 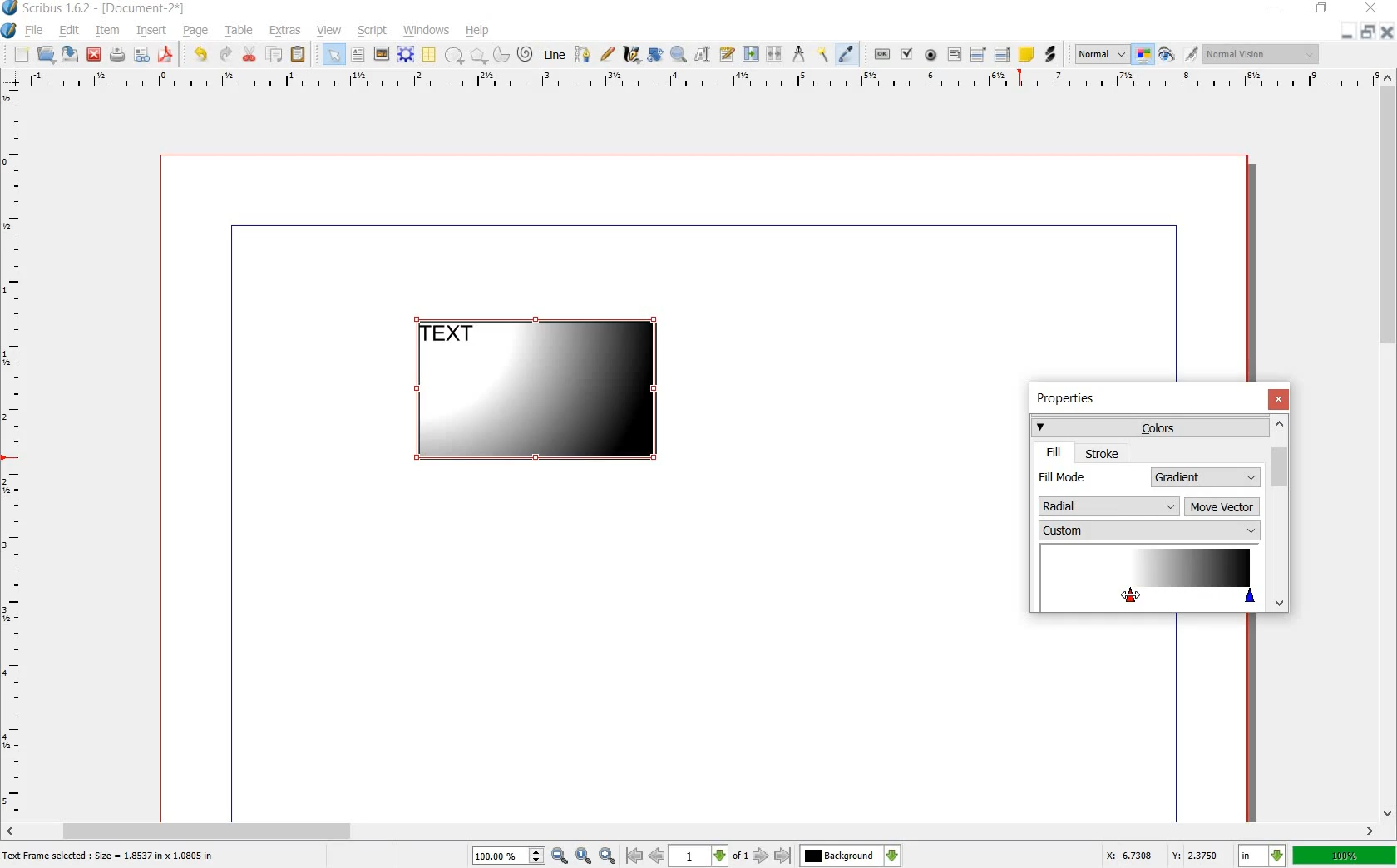 I want to click on rotate item, so click(x=656, y=55).